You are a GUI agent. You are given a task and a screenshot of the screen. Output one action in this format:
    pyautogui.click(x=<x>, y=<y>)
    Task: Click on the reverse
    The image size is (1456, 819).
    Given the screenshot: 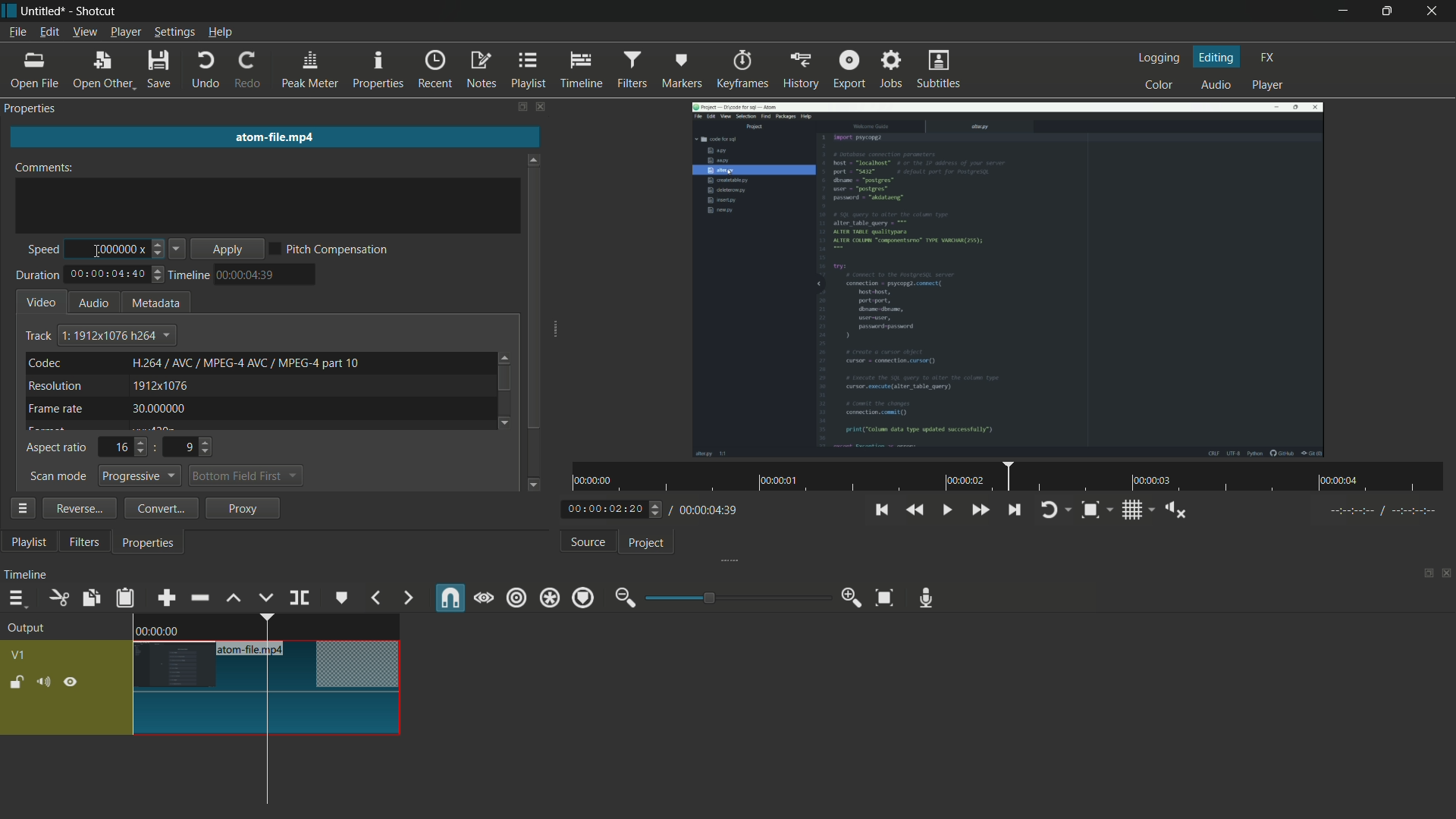 What is the action you would take?
    pyautogui.click(x=79, y=508)
    